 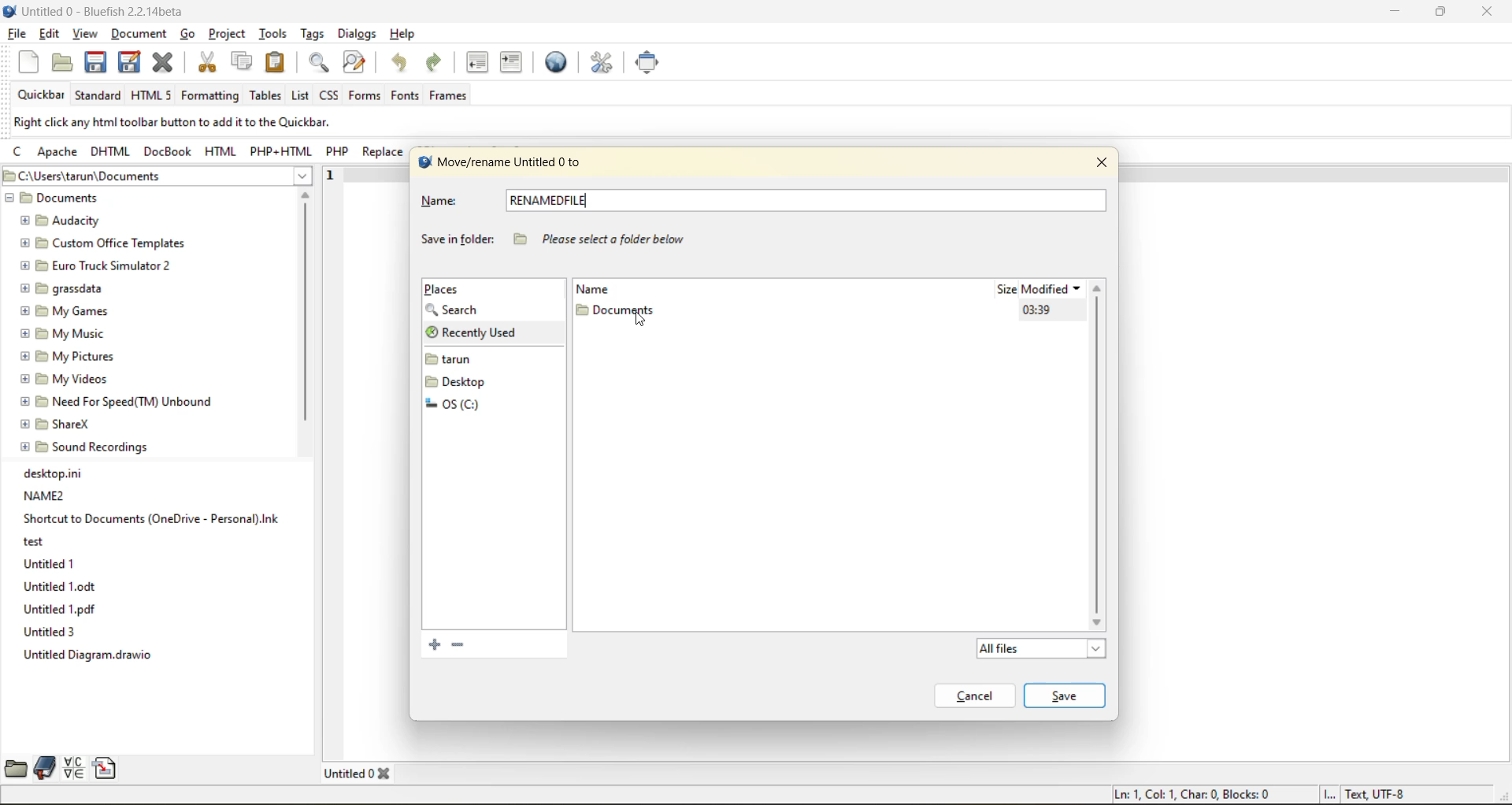 What do you see at coordinates (617, 310) in the screenshot?
I see `folder name` at bounding box center [617, 310].